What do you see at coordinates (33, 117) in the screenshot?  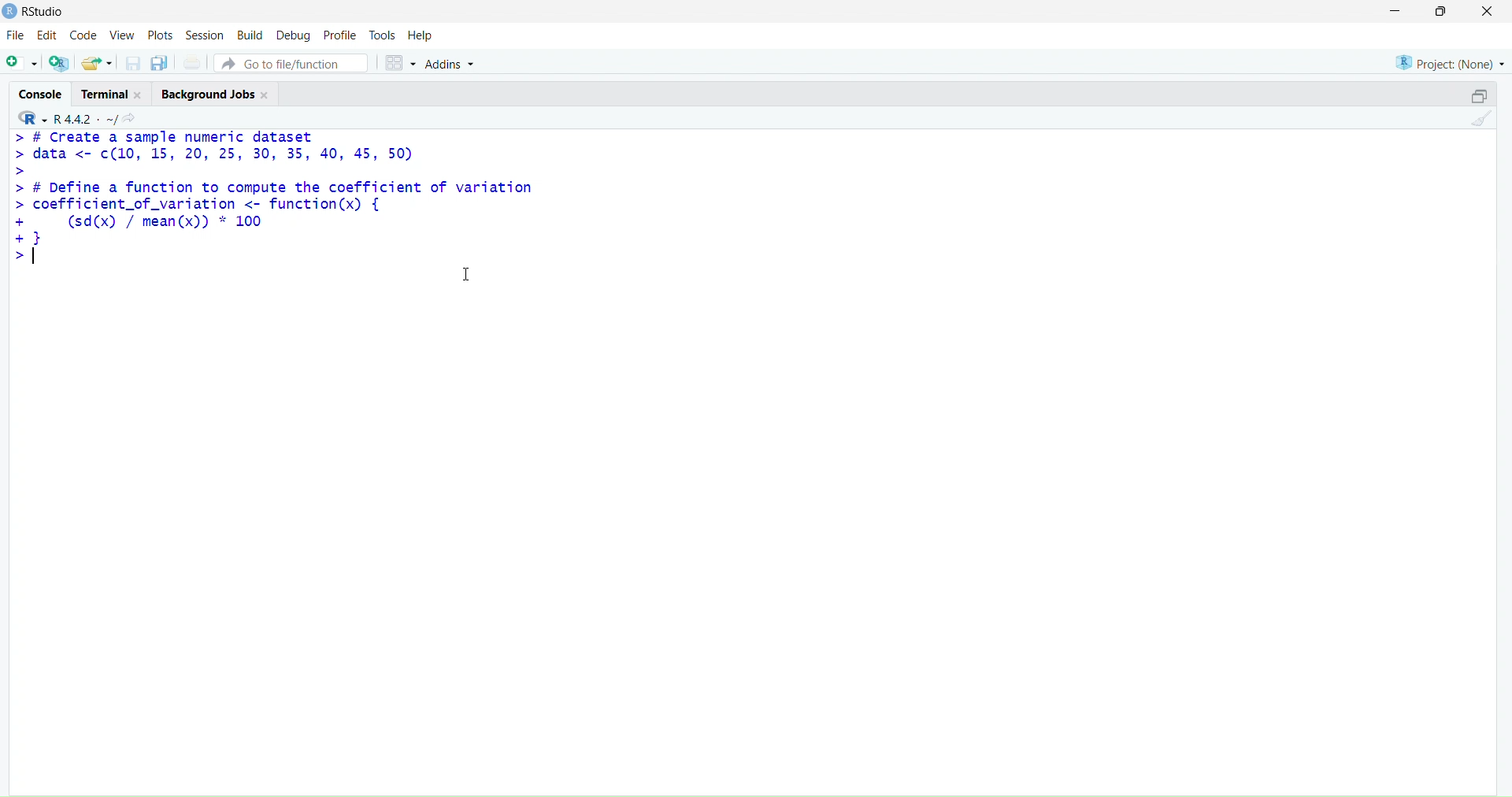 I see `R` at bounding box center [33, 117].